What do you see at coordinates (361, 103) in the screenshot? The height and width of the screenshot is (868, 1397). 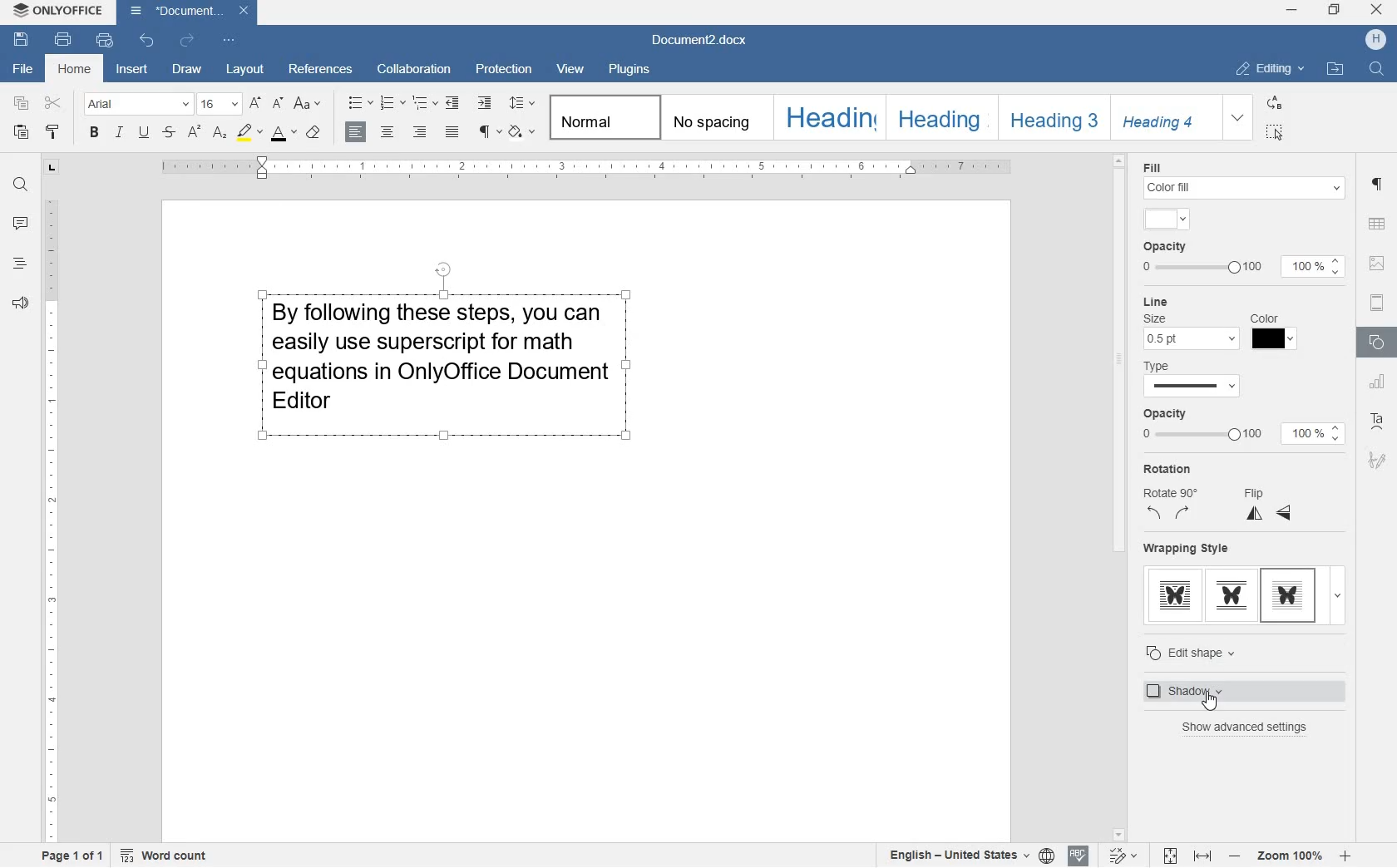 I see `bullets` at bounding box center [361, 103].